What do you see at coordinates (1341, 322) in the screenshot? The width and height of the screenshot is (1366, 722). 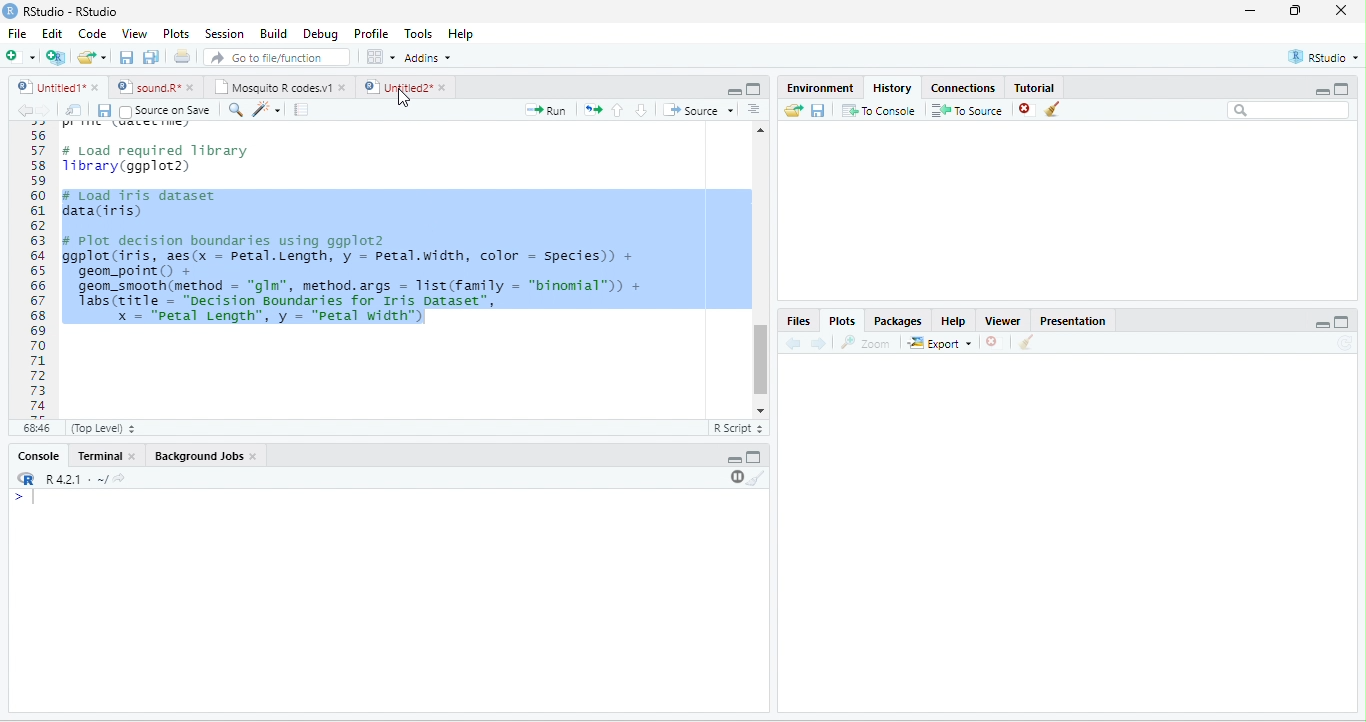 I see `Maximize` at bounding box center [1341, 322].